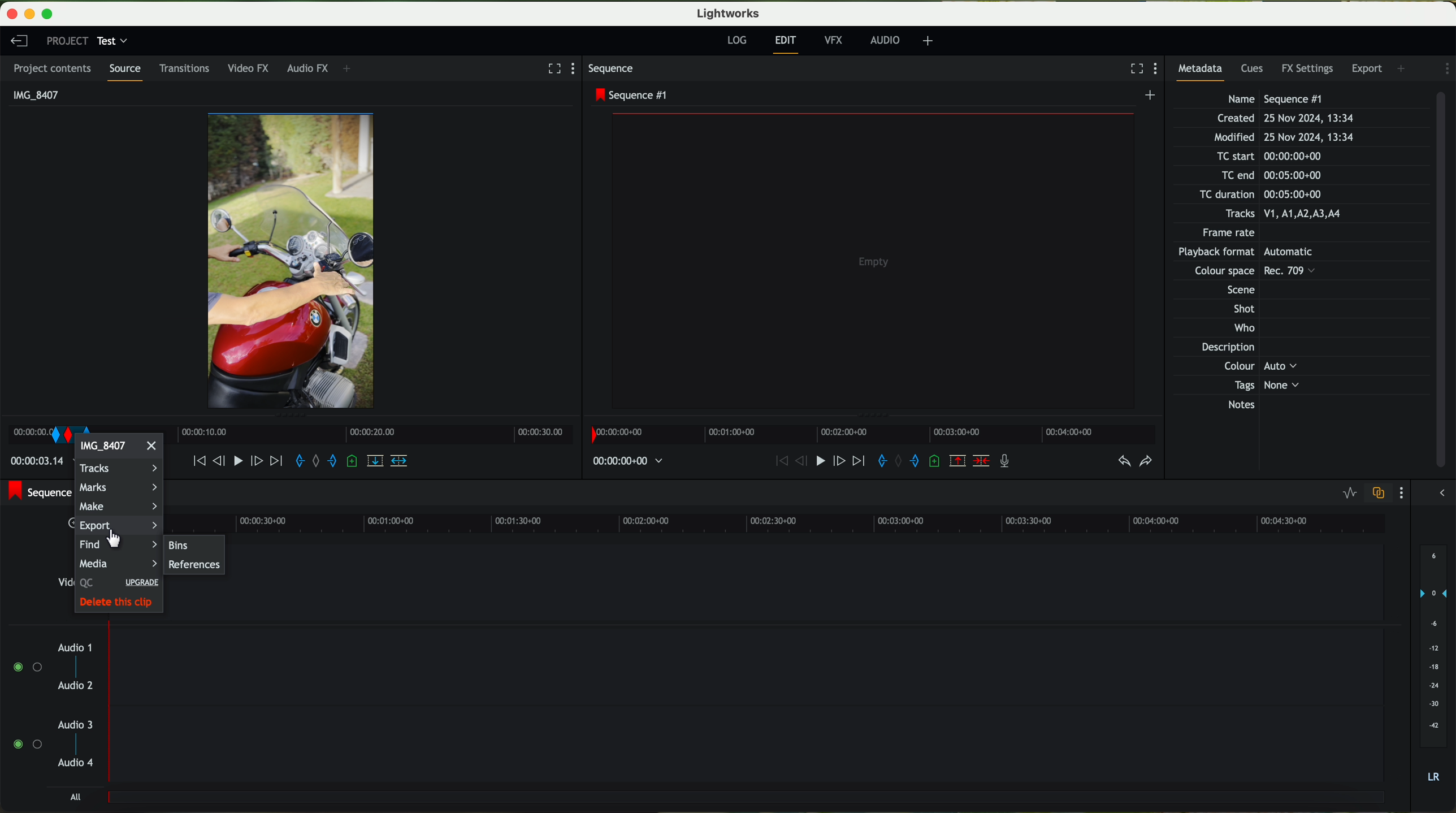  Describe the element at coordinates (293, 261) in the screenshot. I see `video` at that location.